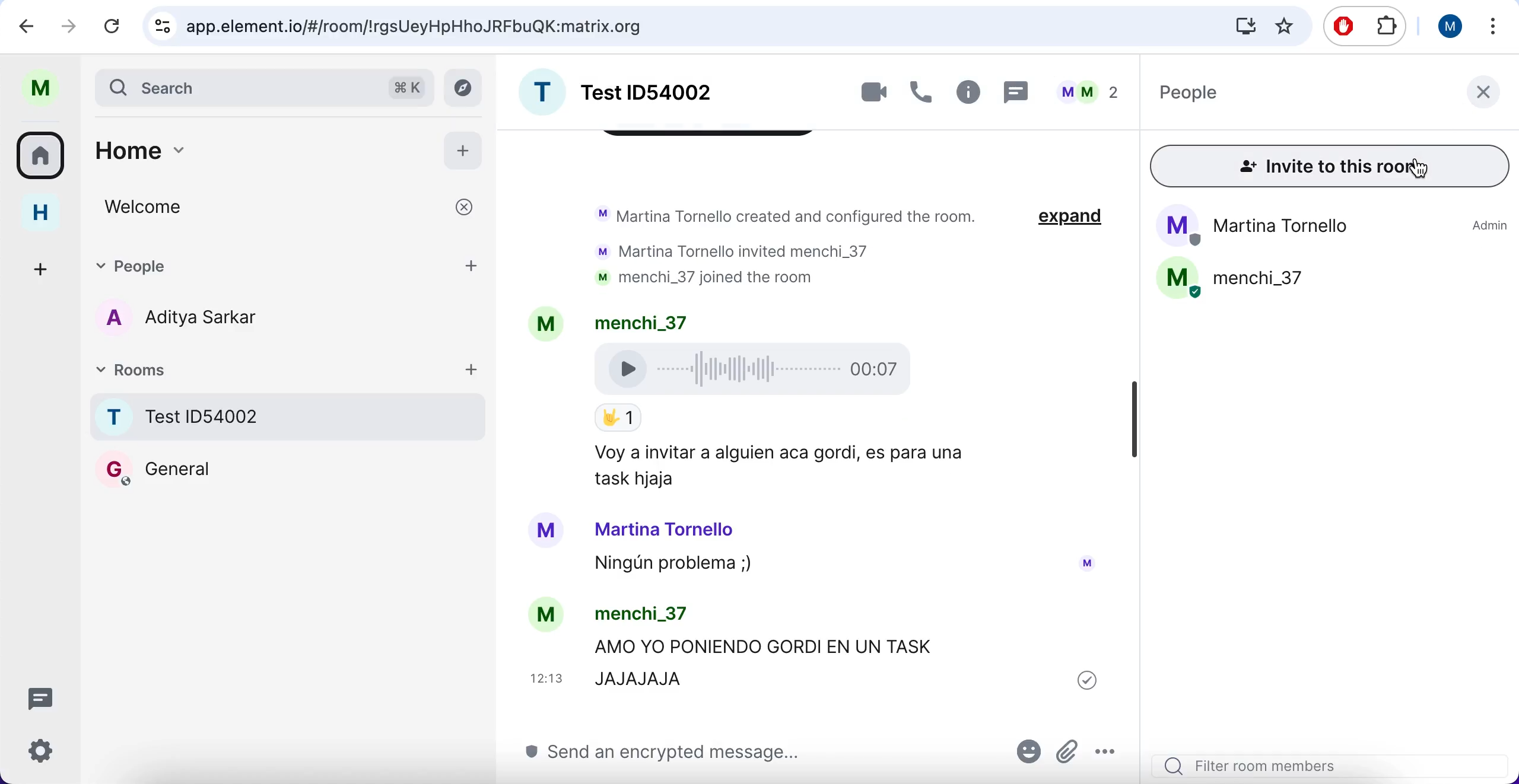 The height and width of the screenshot is (784, 1519). What do you see at coordinates (546, 678) in the screenshot?
I see `12: 13` at bounding box center [546, 678].